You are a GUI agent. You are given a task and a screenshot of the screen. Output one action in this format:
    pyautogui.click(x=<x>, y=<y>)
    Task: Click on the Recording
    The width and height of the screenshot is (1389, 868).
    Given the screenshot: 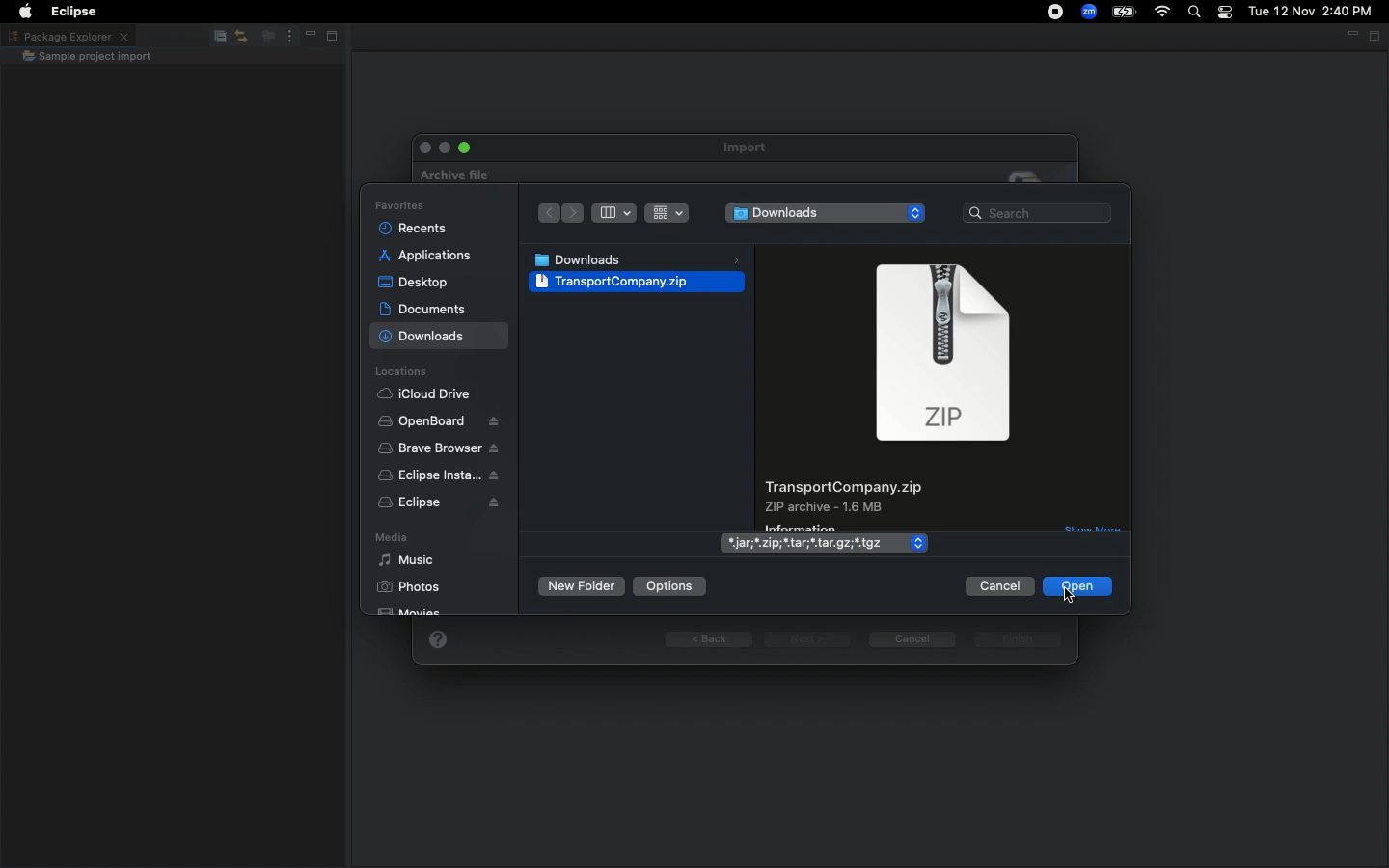 What is the action you would take?
    pyautogui.click(x=1047, y=14)
    